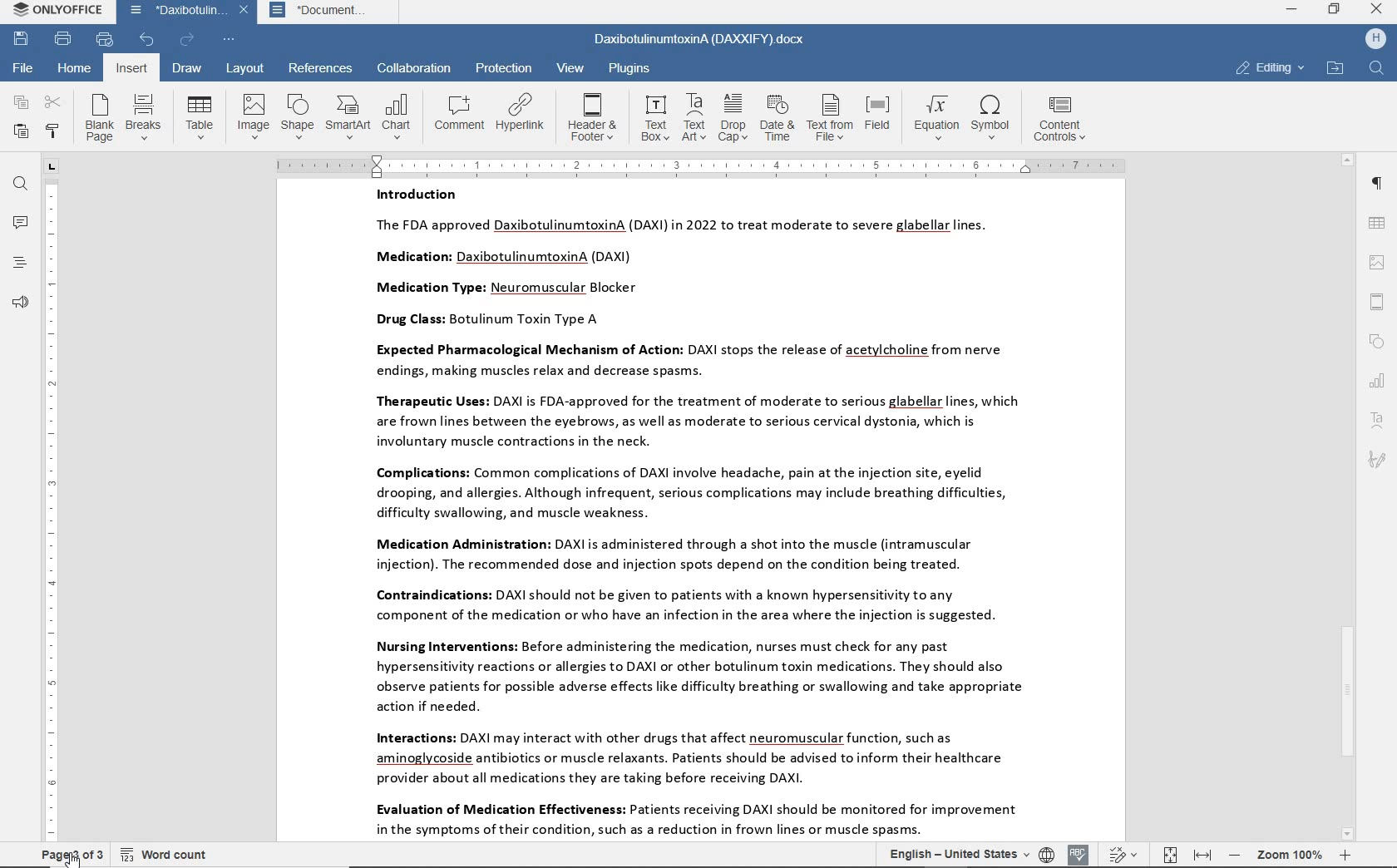 This screenshot has width=1397, height=868. What do you see at coordinates (1375, 40) in the screenshot?
I see `hp` at bounding box center [1375, 40].